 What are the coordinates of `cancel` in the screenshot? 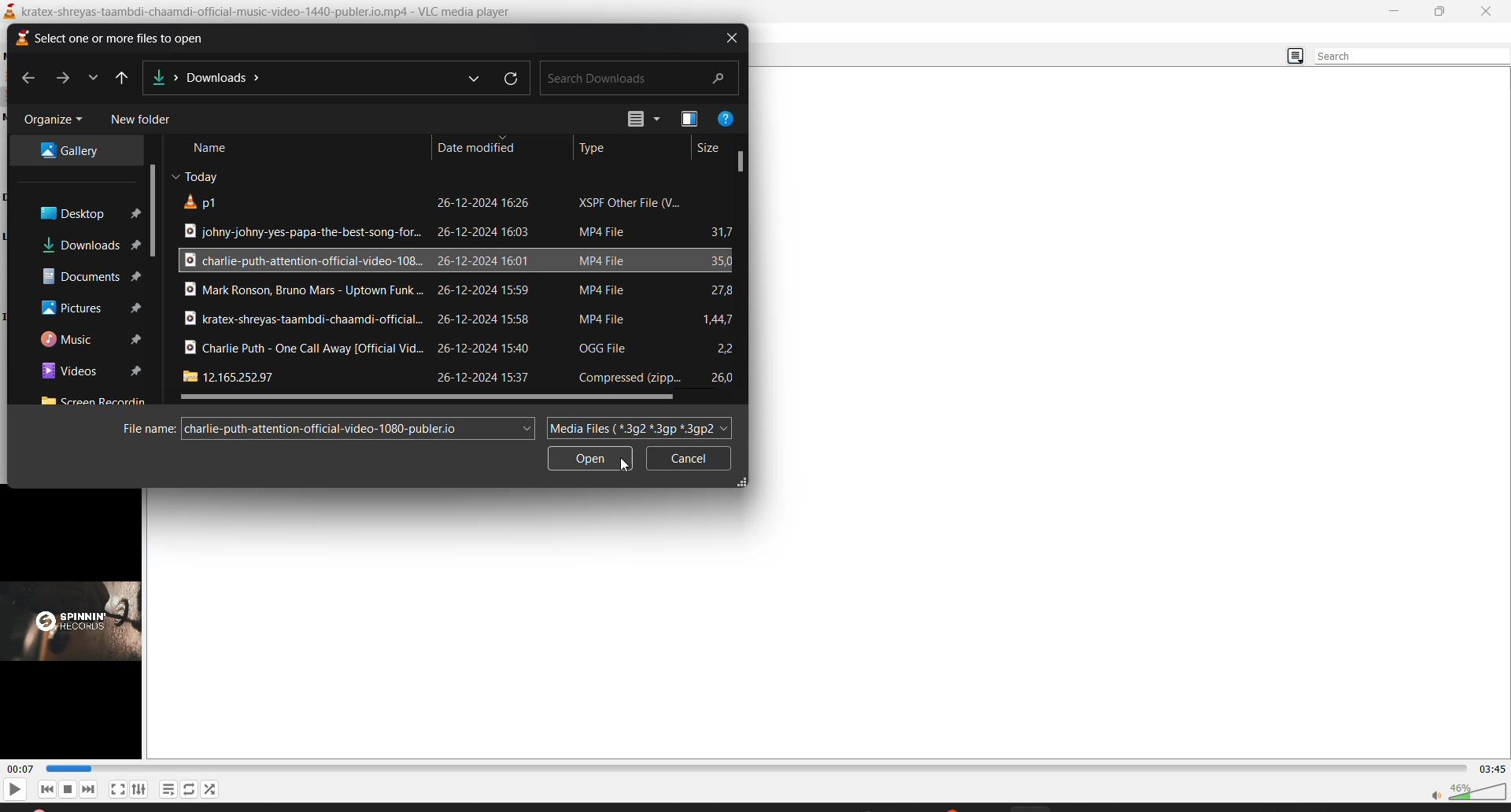 It's located at (689, 458).